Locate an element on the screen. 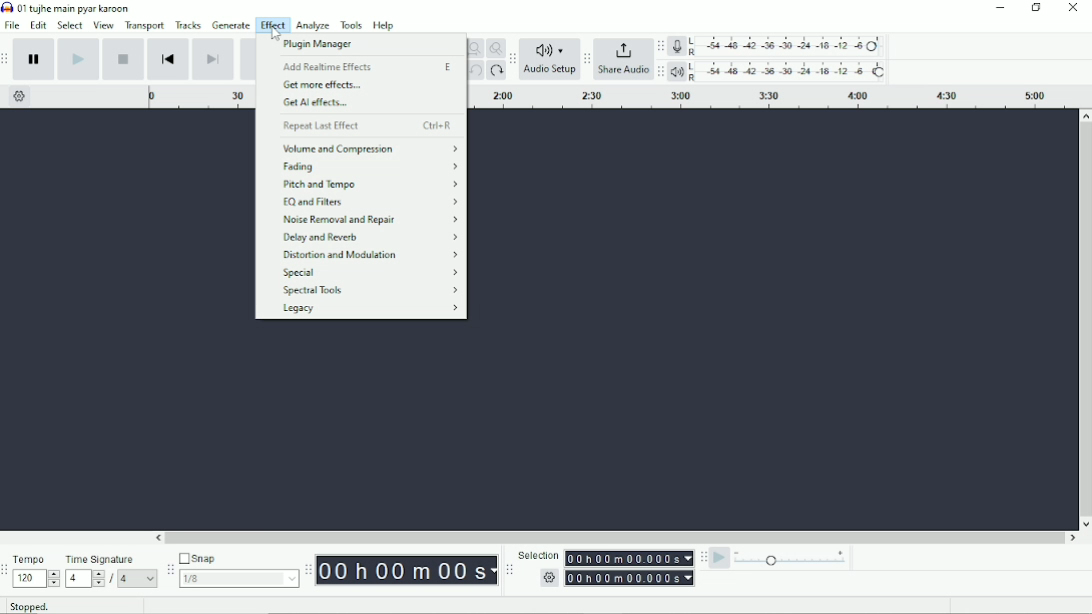 The image size is (1092, 614). Restore down is located at coordinates (1036, 8).